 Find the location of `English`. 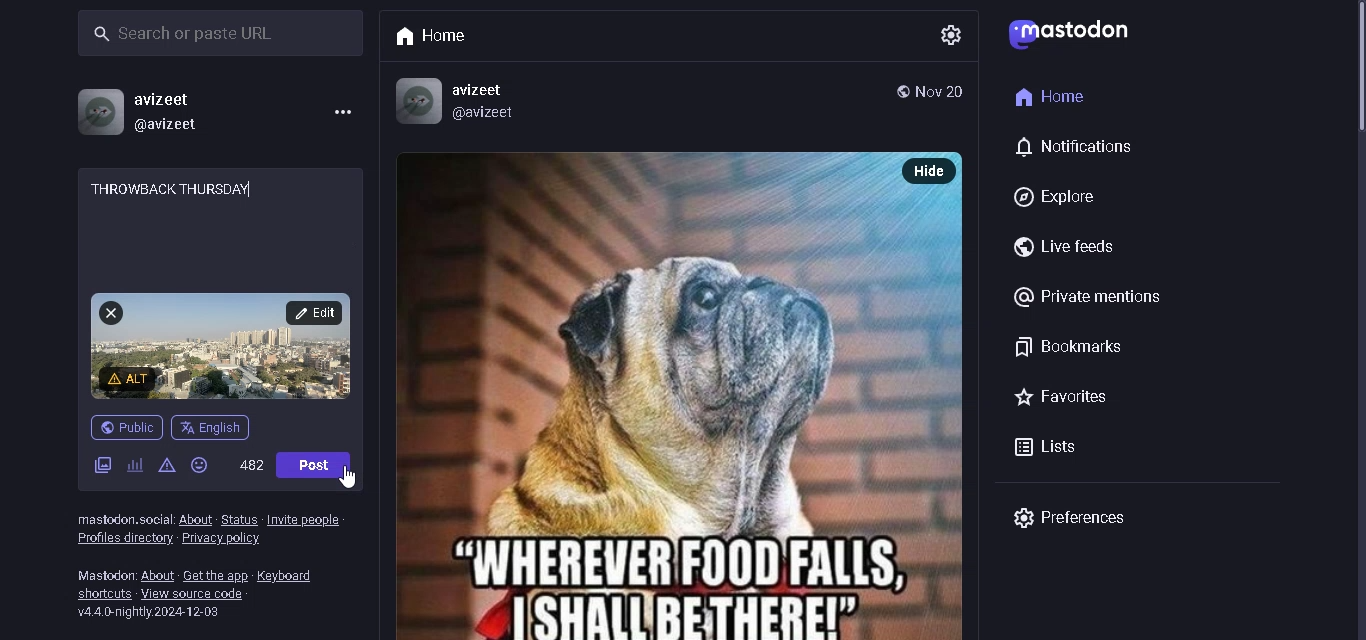

English is located at coordinates (213, 426).